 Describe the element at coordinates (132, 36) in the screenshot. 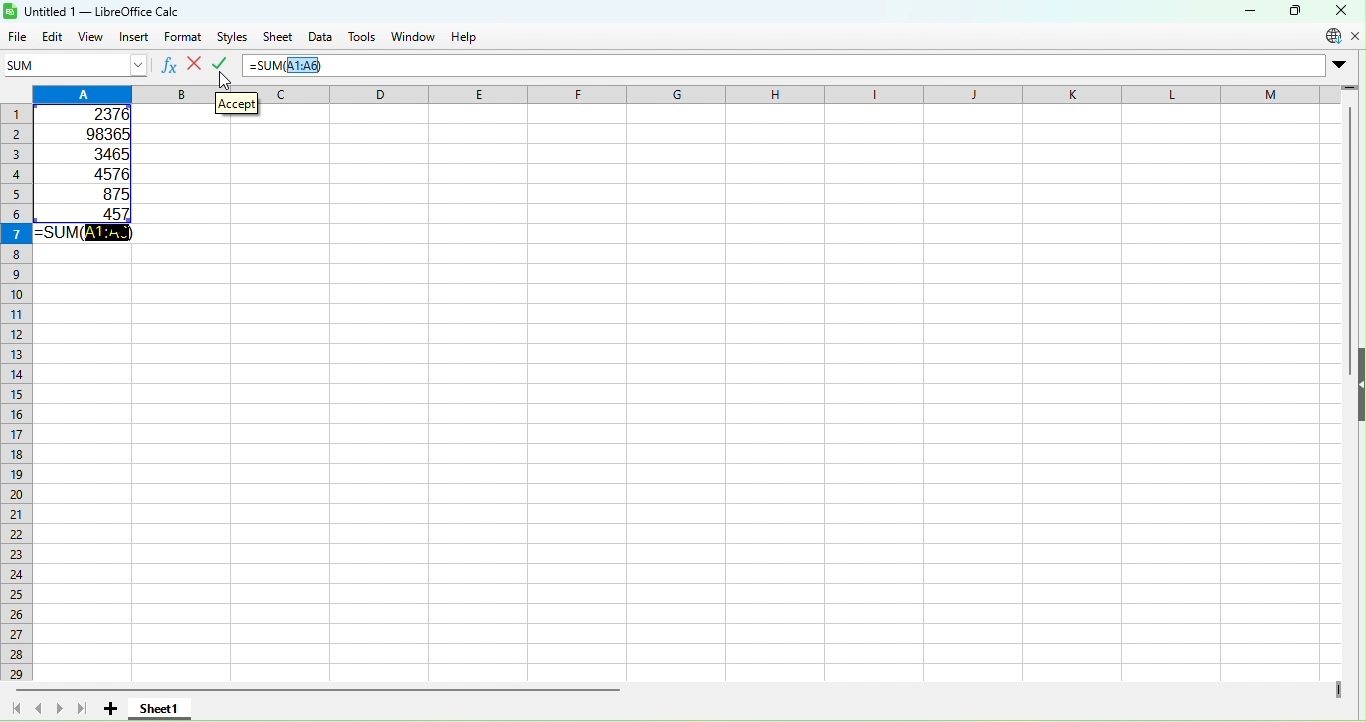

I see `Insert` at that location.